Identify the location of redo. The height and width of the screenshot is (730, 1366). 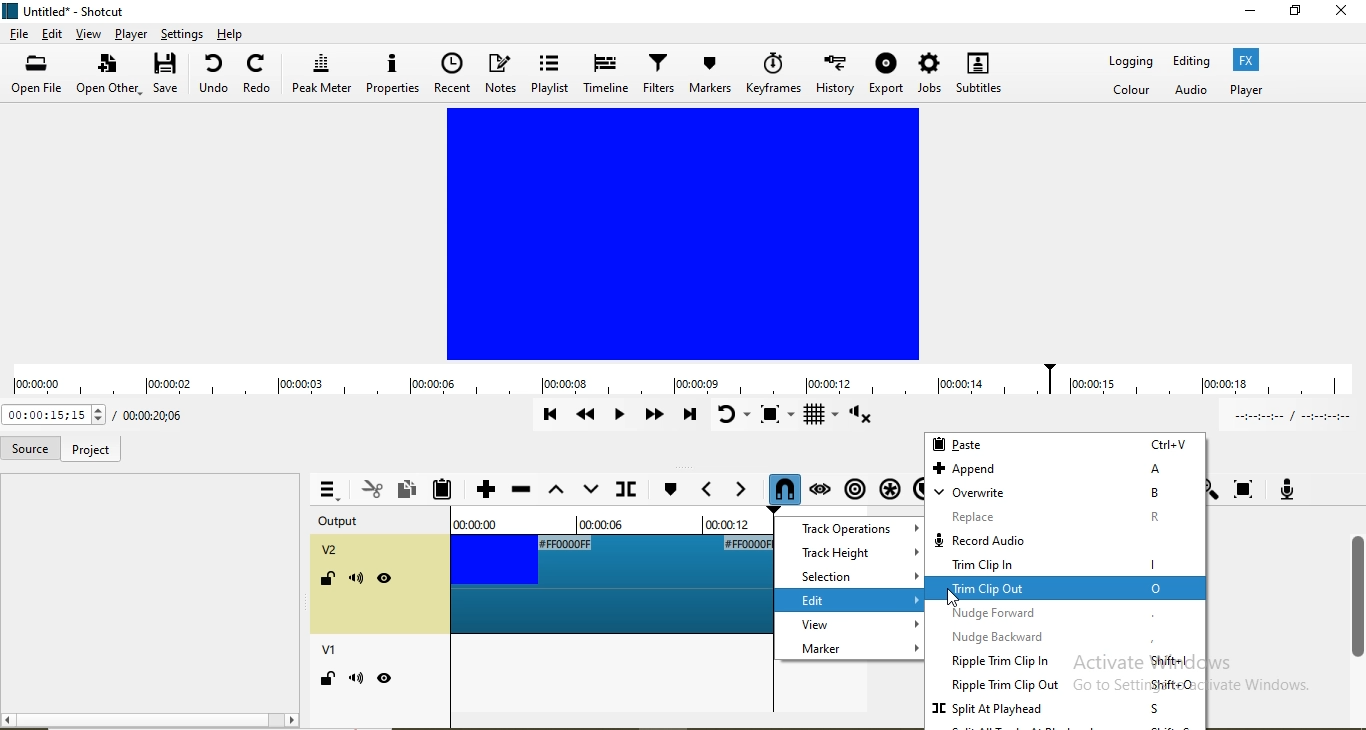
(258, 77).